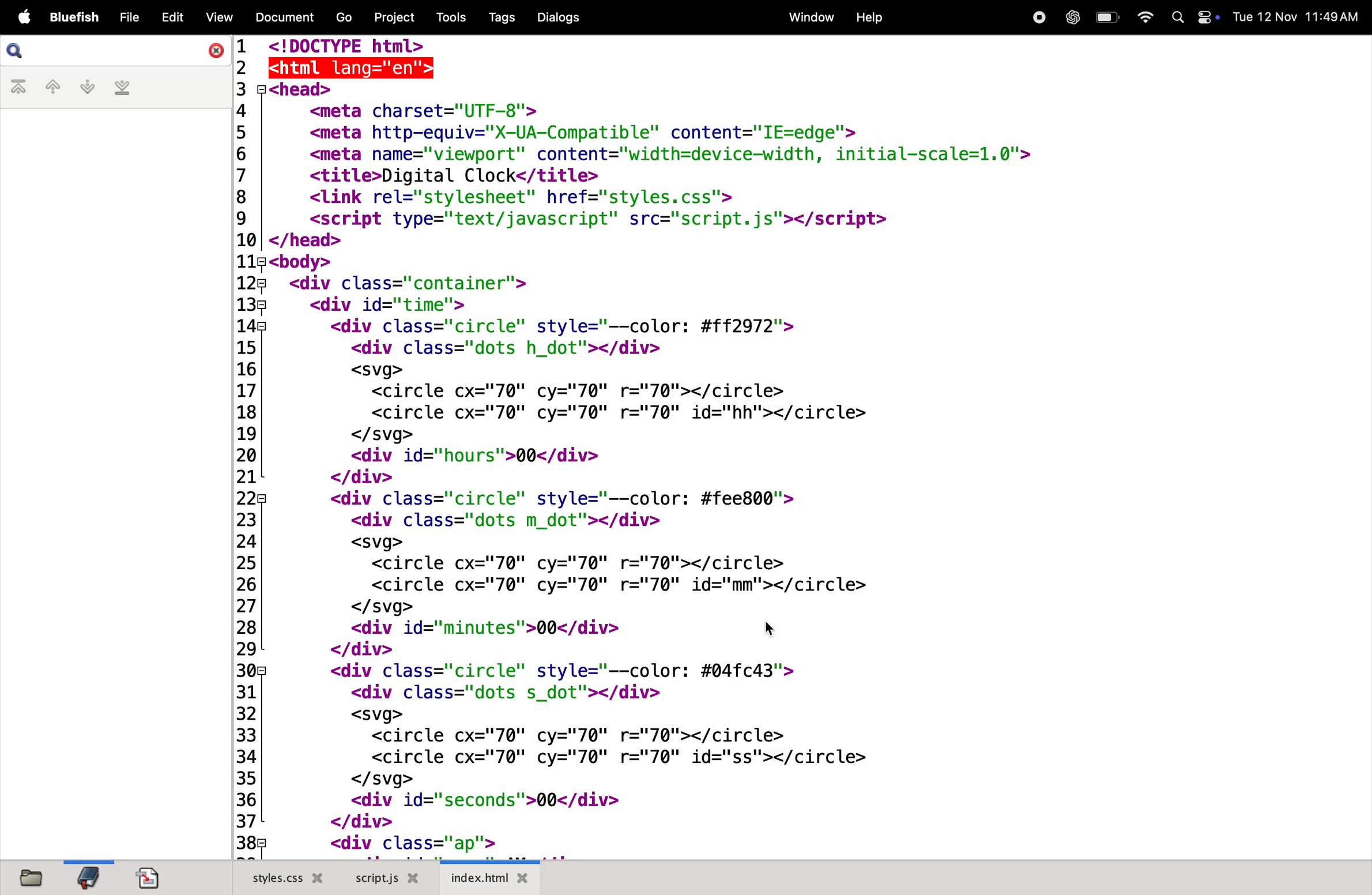 This screenshot has height=895, width=1372. I want to click on style.css, so click(281, 876).